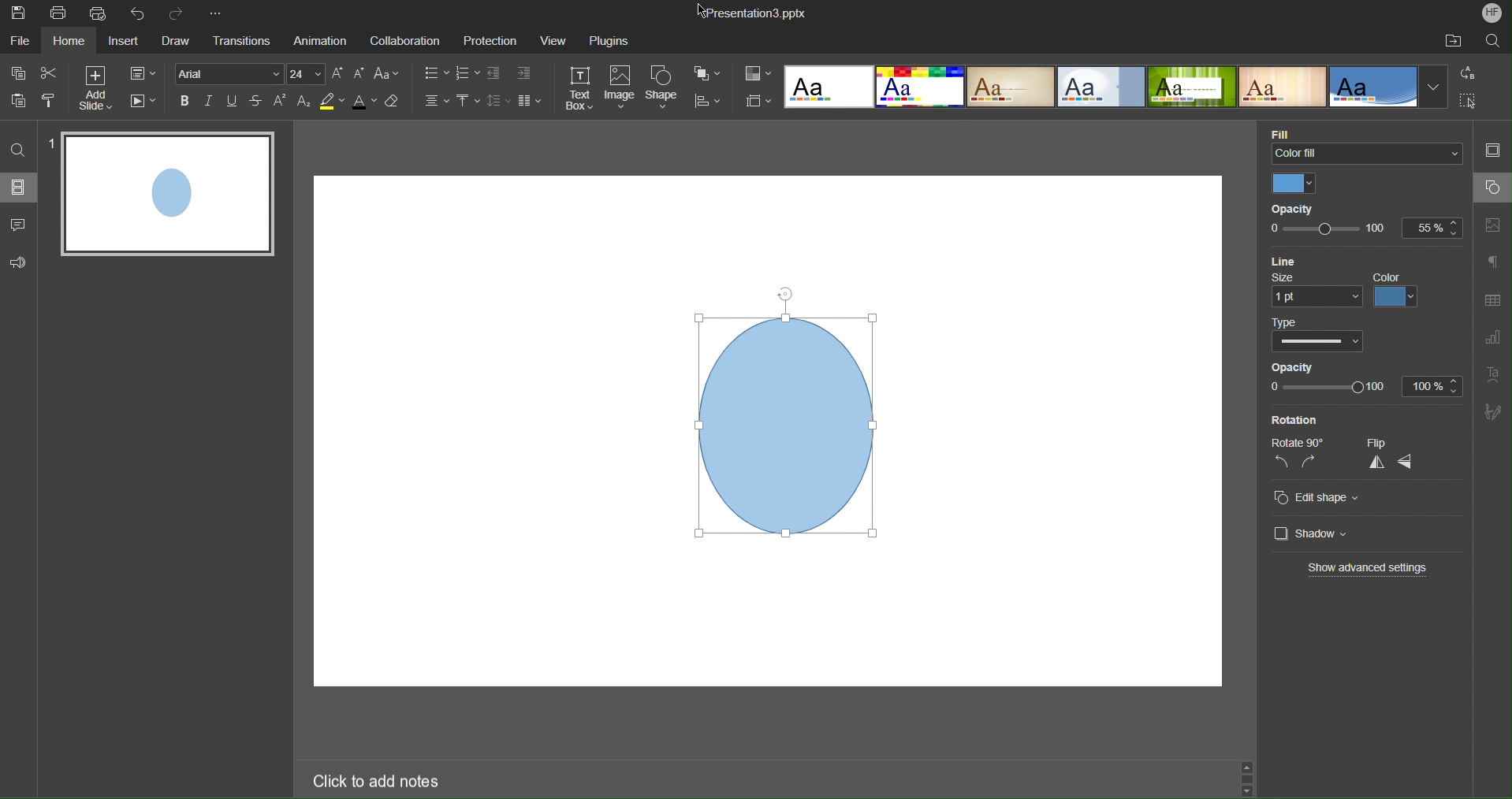 The image size is (1512, 799). What do you see at coordinates (759, 100) in the screenshot?
I see `Slide Size` at bounding box center [759, 100].